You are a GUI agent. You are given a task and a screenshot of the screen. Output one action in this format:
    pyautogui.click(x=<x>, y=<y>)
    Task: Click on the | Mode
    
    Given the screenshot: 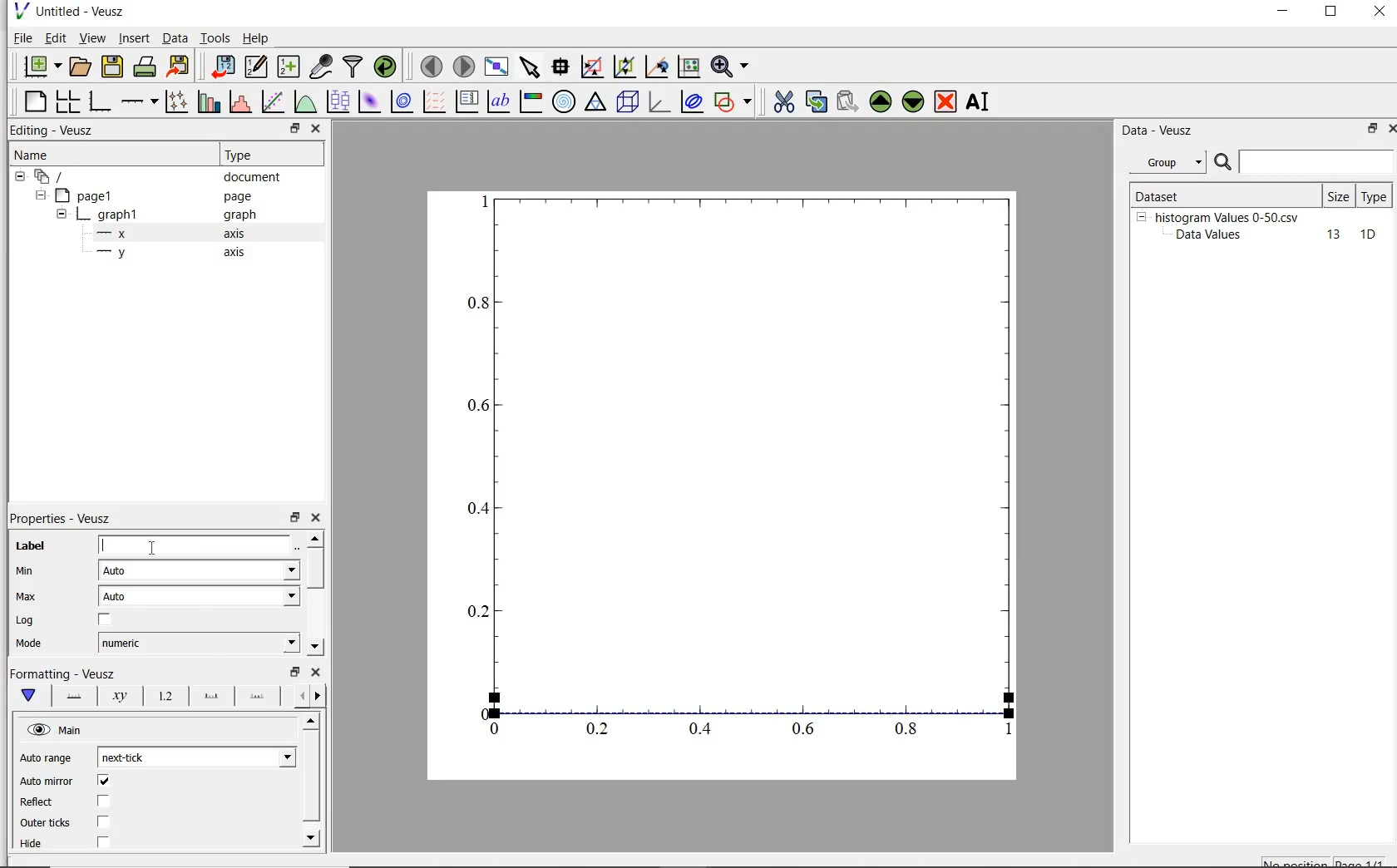 What is the action you would take?
    pyautogui.click(x=29, y=645)
    